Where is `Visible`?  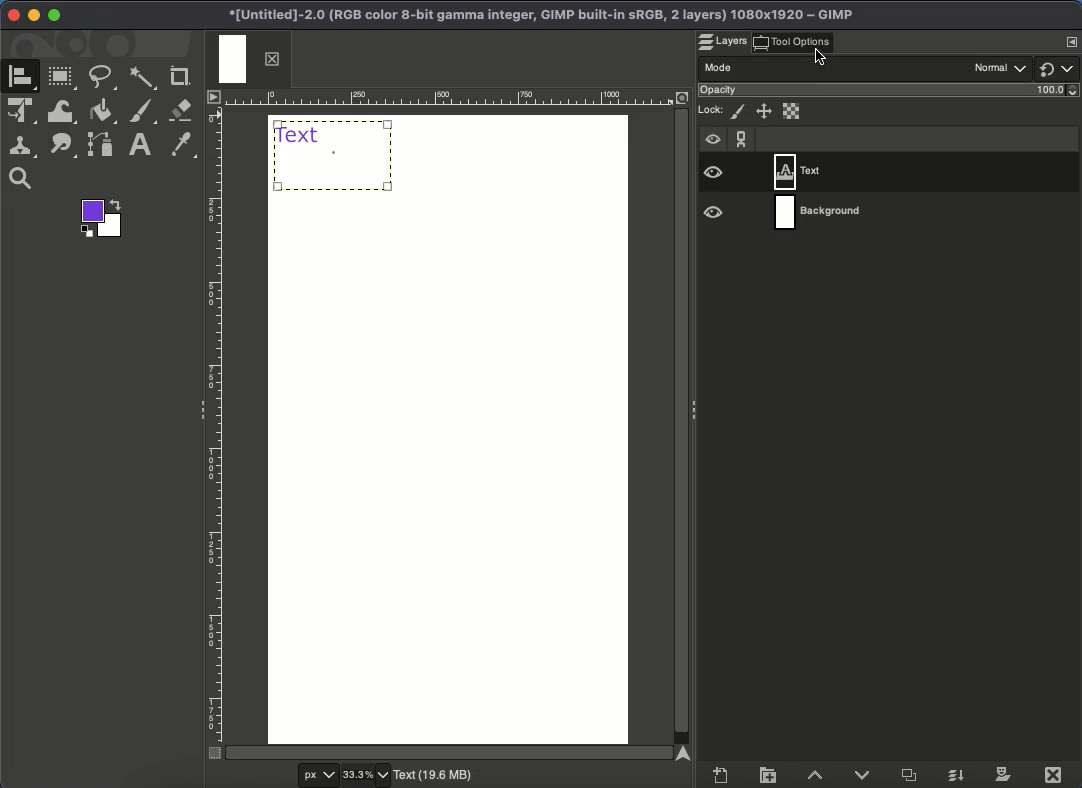
Visible is located at coordinates (713, 175).